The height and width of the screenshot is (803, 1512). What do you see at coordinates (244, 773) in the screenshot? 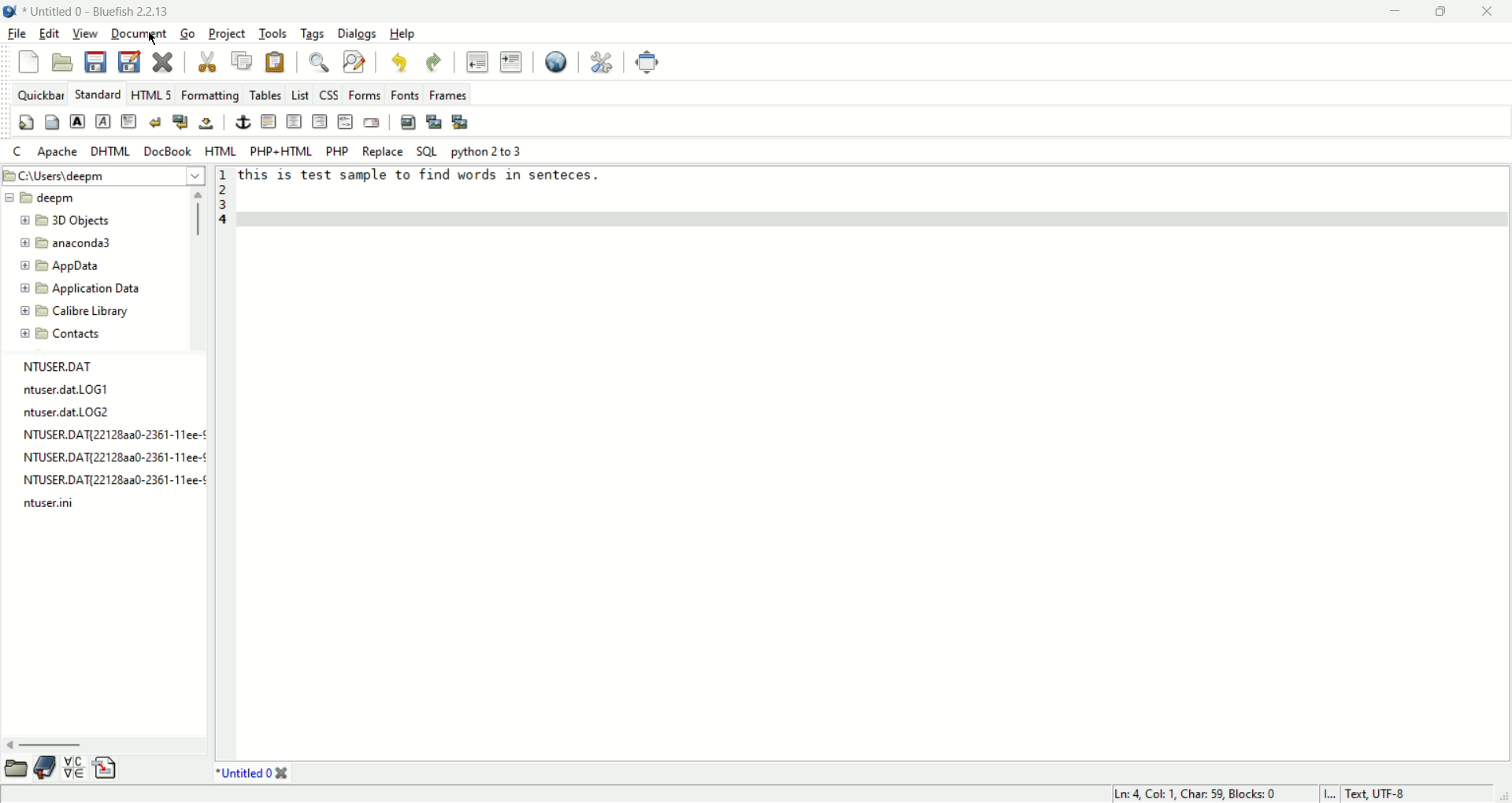
I see `*Untitled 0` at bounding box center [244, 773].